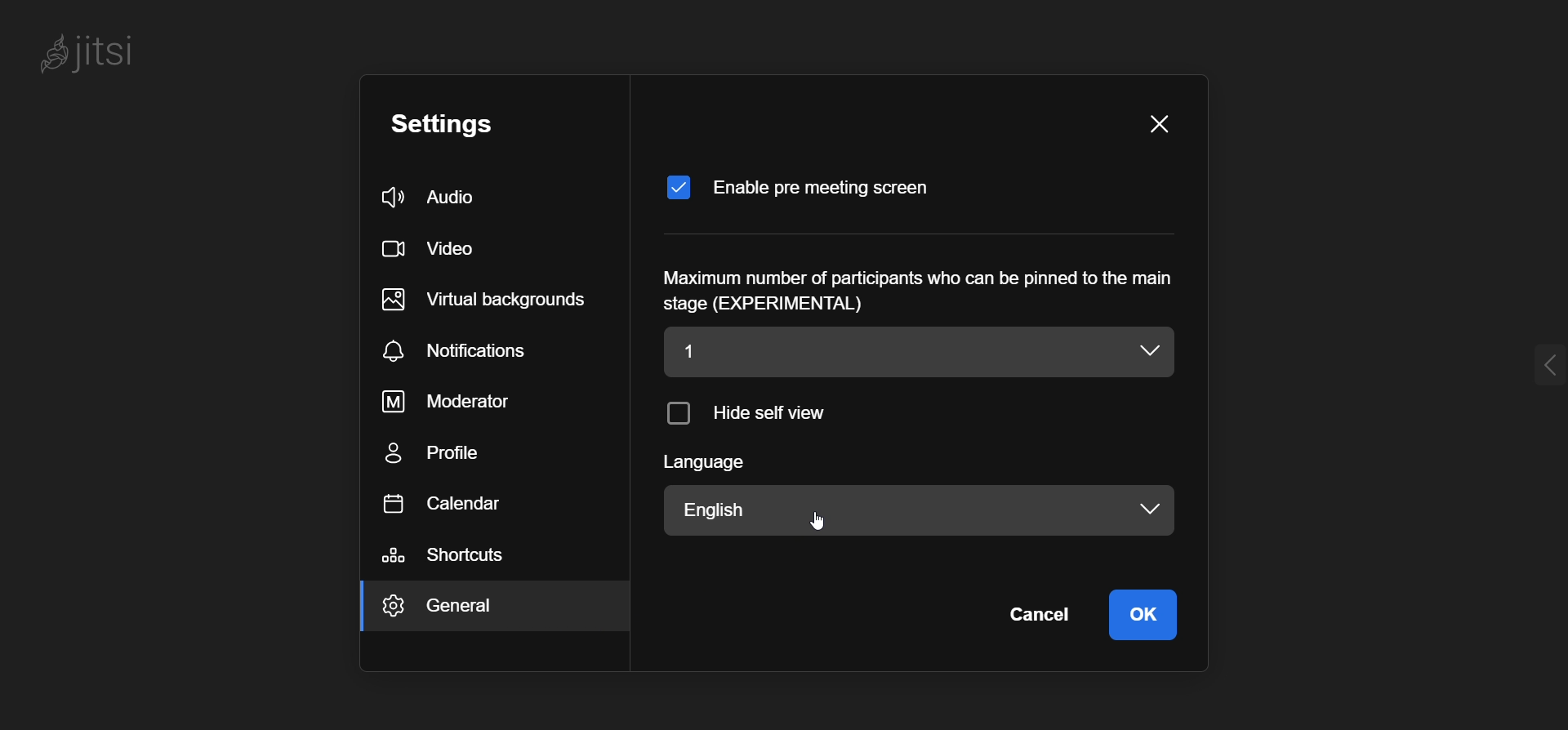  I want to click on Expand, so click(1524, 368).